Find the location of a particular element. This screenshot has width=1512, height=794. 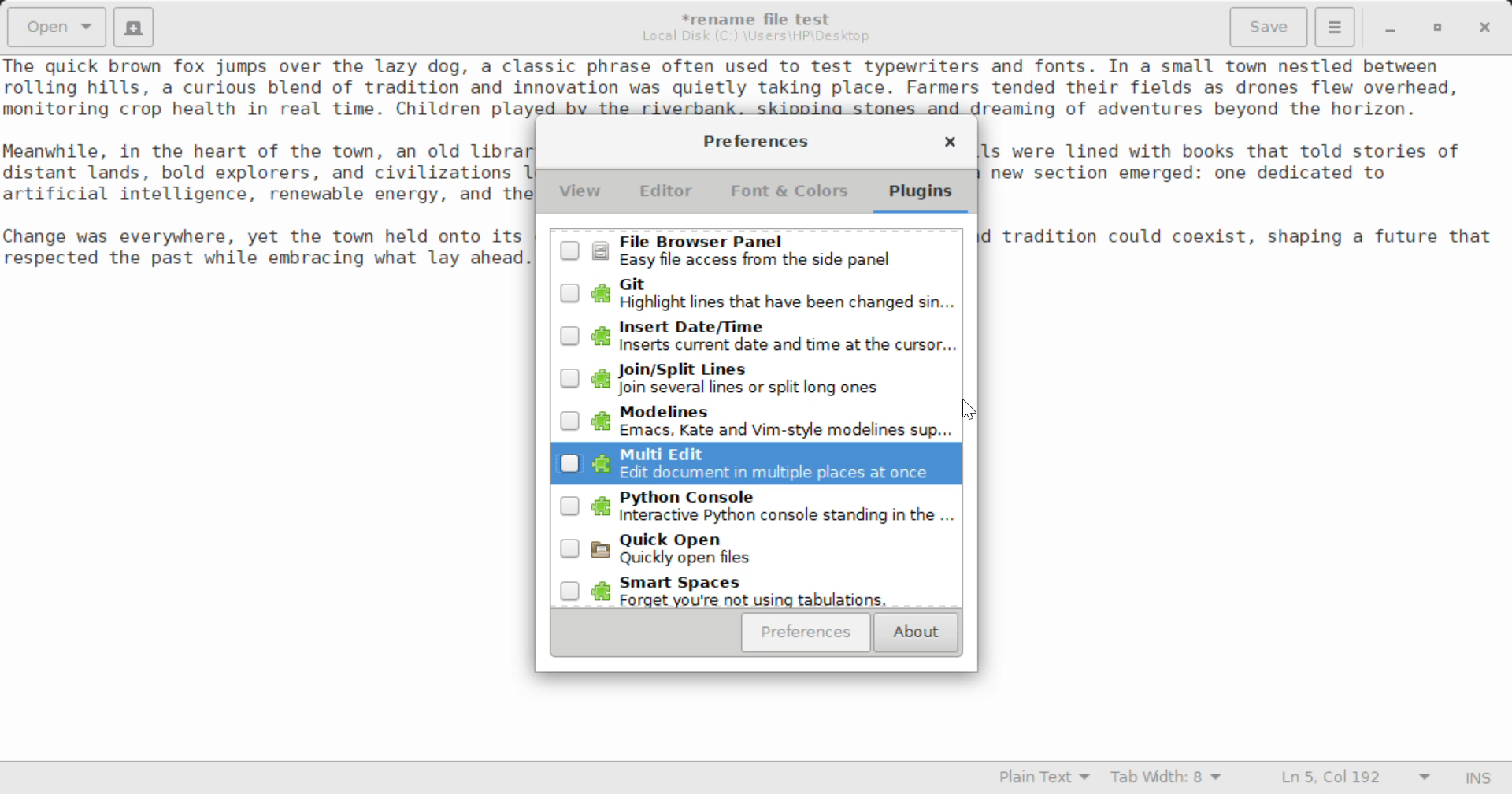

Unselected Join/Split Lines Plugin is located at coordinates (756, 379).